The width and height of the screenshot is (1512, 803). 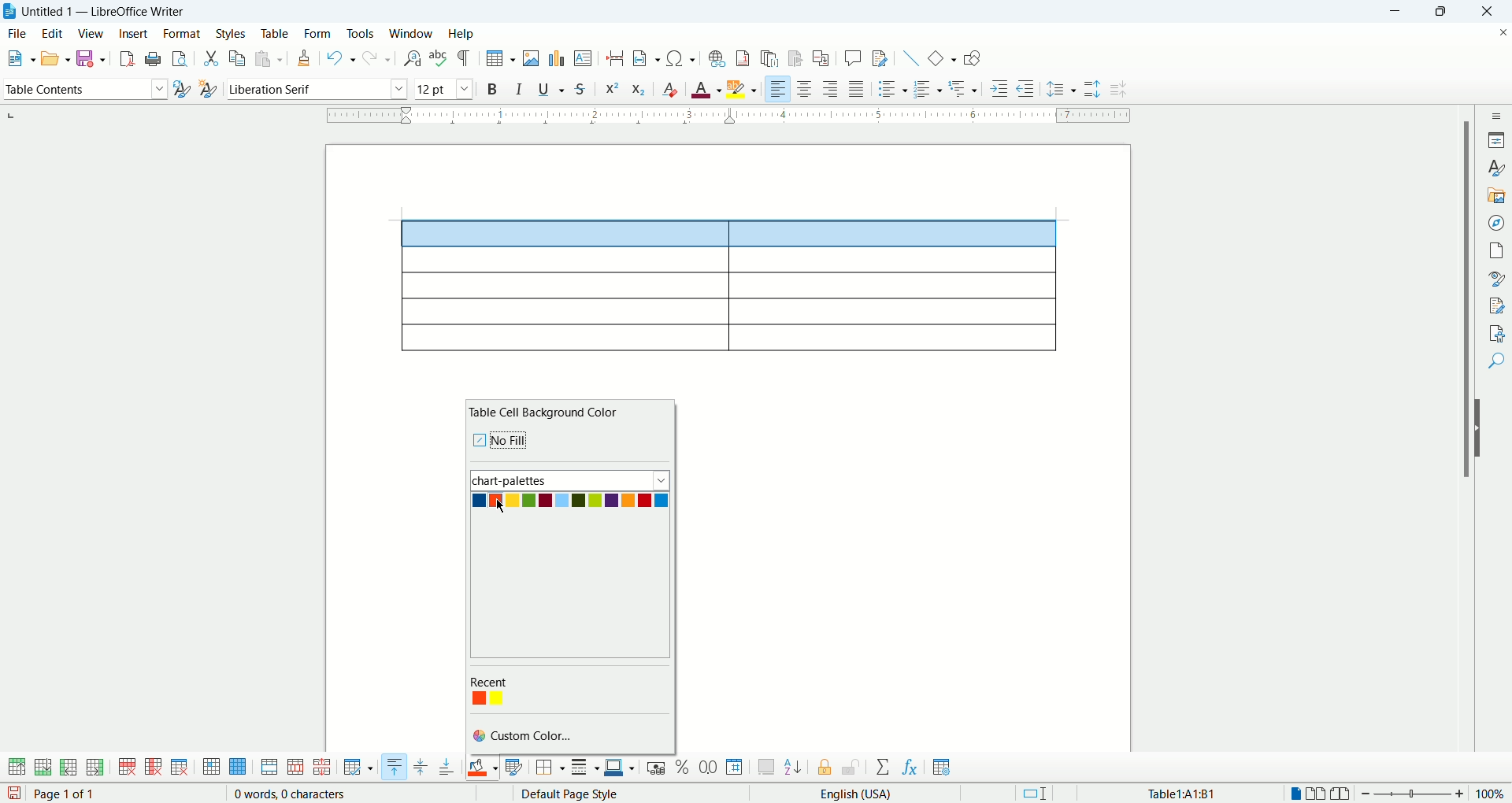 I want to click on delete selected column, so click(x=154, y=768).